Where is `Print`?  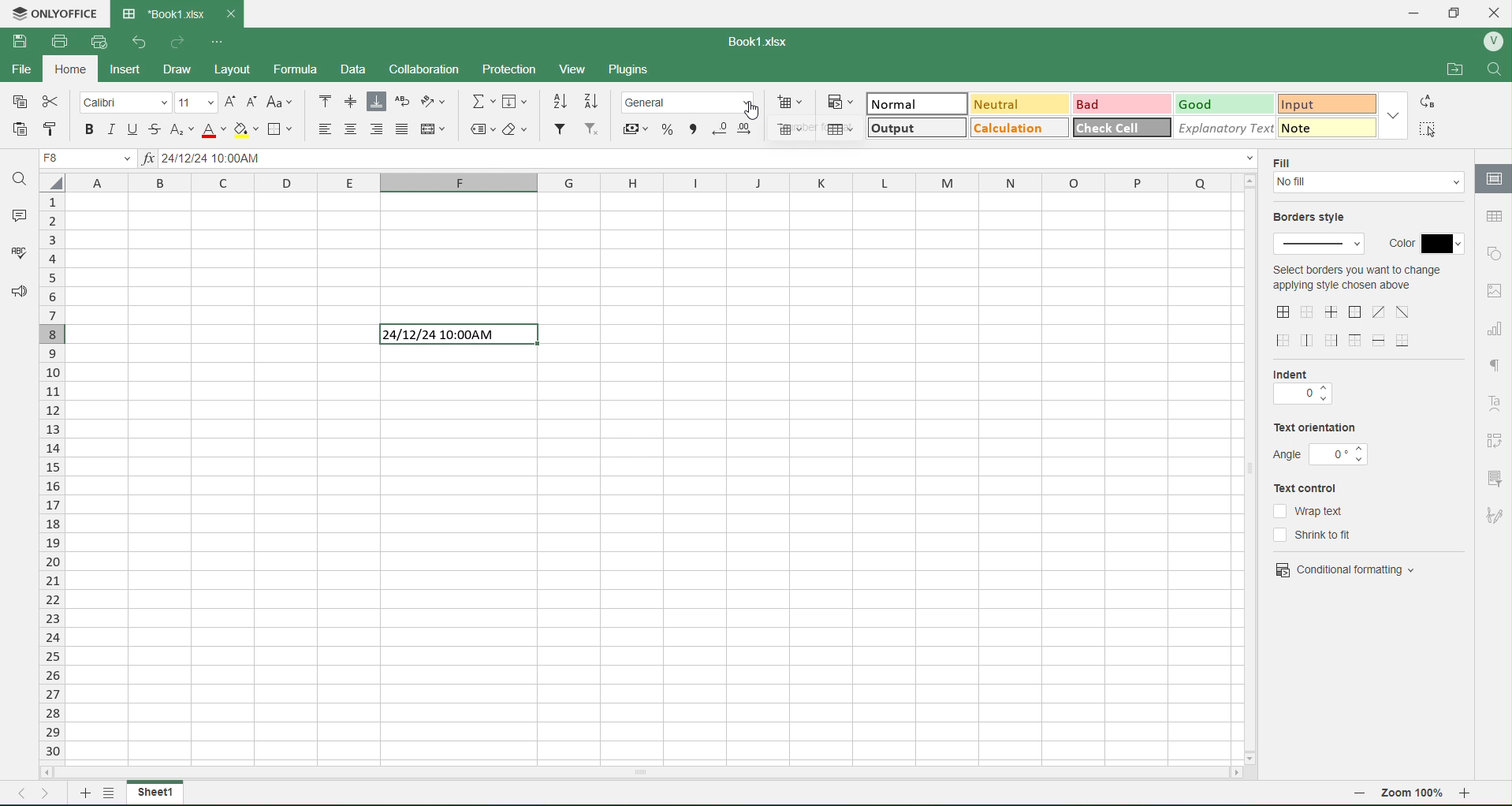
Print is located at coordinates (58, 40).